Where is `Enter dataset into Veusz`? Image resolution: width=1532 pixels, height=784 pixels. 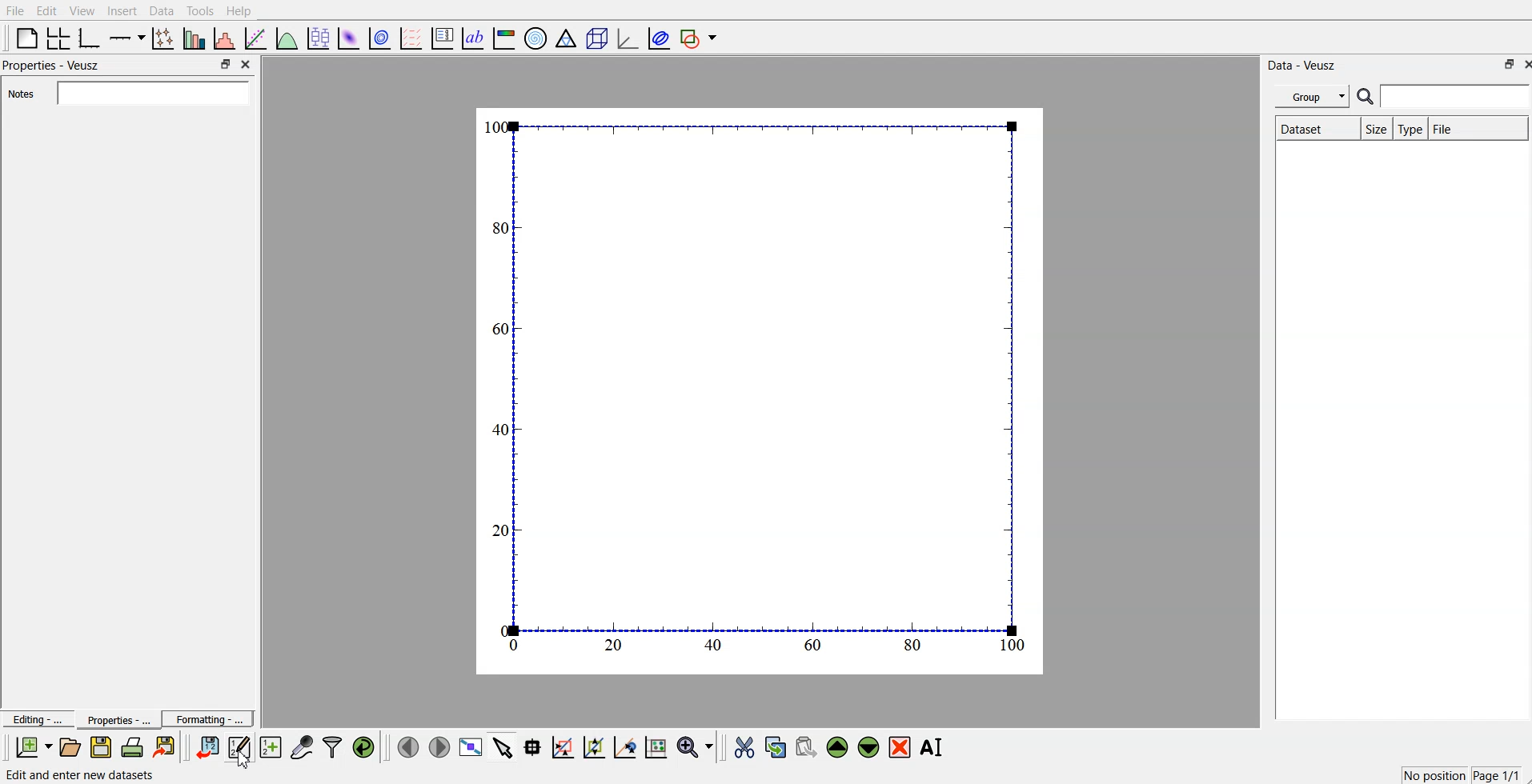 Enter dataset into Veusz is located at coordinates (206, 747).